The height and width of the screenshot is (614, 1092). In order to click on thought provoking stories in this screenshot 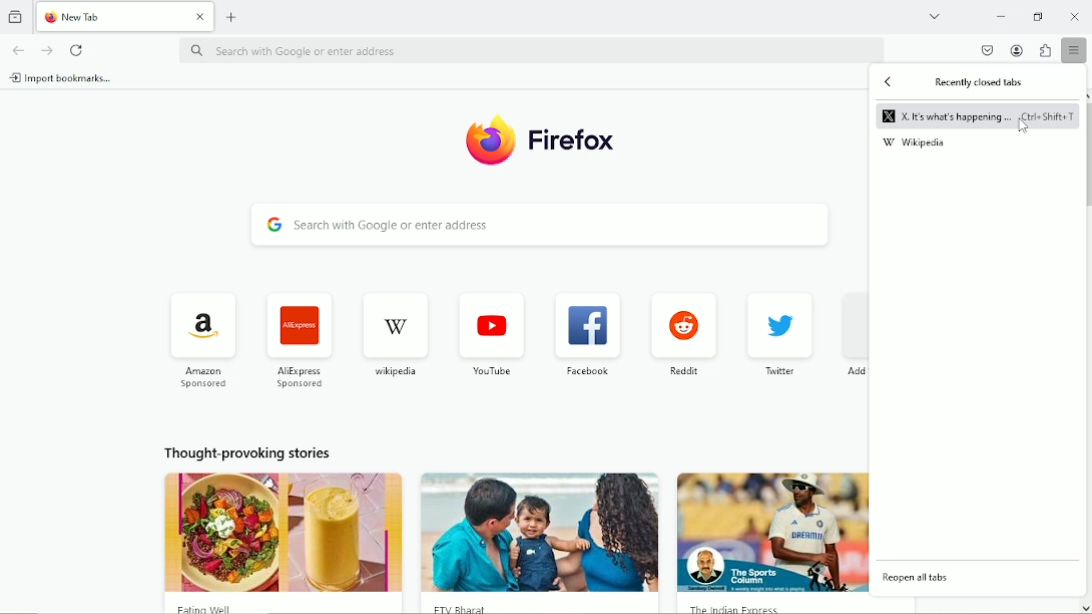, I will do `click(242, 451)`.